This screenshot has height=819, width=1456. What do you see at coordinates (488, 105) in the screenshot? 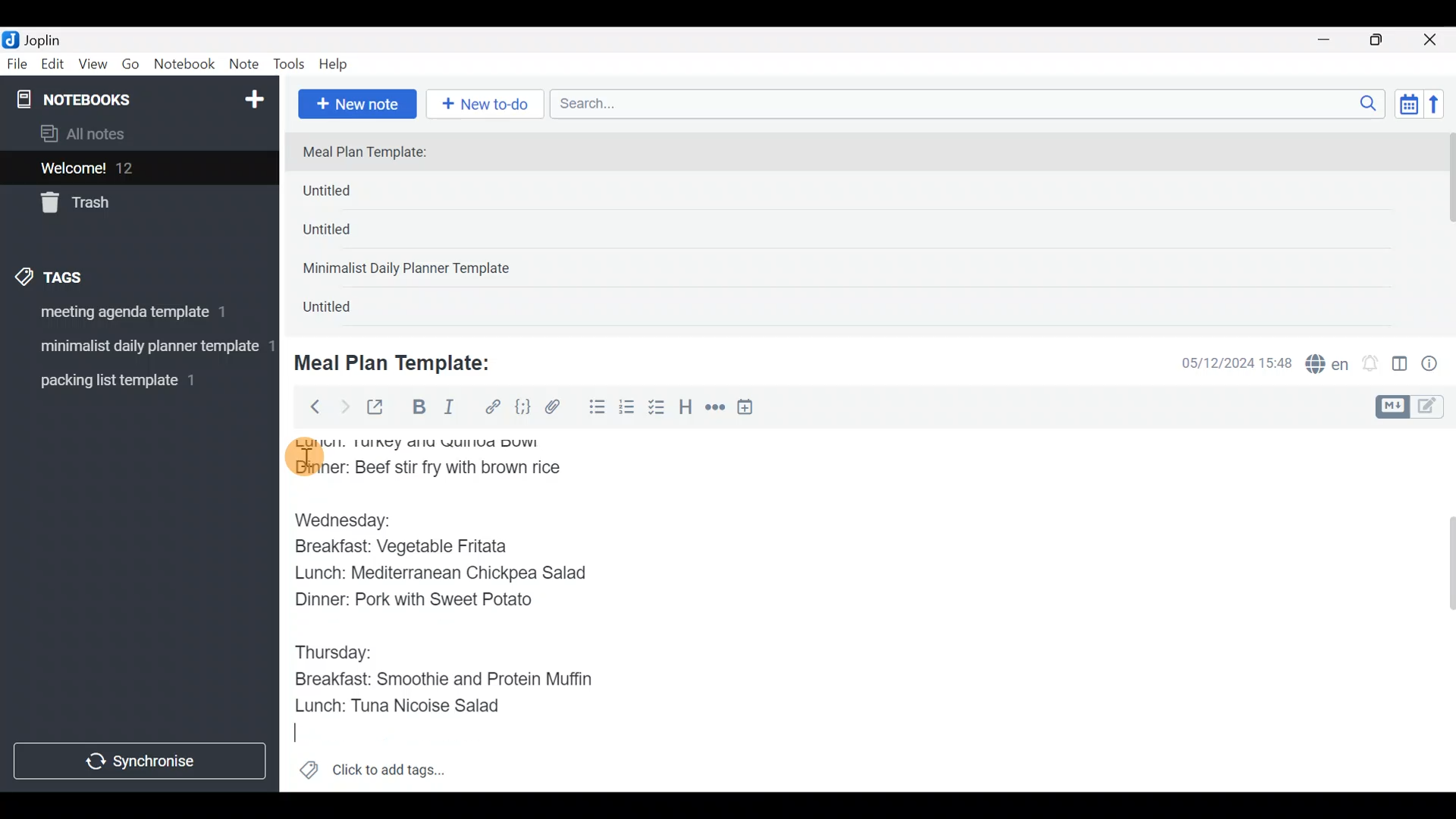
I see `New to-do` at bounding box center [488, 105].